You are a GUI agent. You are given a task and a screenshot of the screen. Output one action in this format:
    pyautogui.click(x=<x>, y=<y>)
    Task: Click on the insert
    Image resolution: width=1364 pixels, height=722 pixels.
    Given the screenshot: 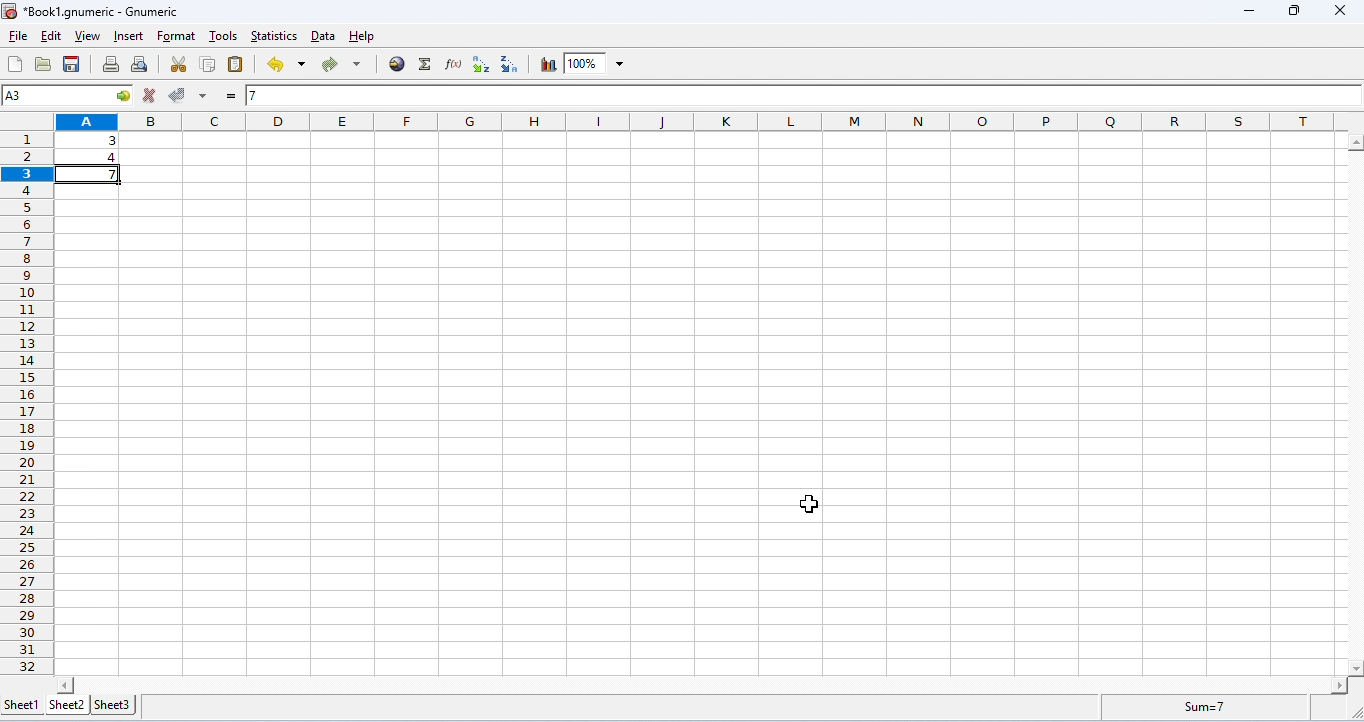 What is the action you would take?
    pyautogui.click(x=129, y=36)
    